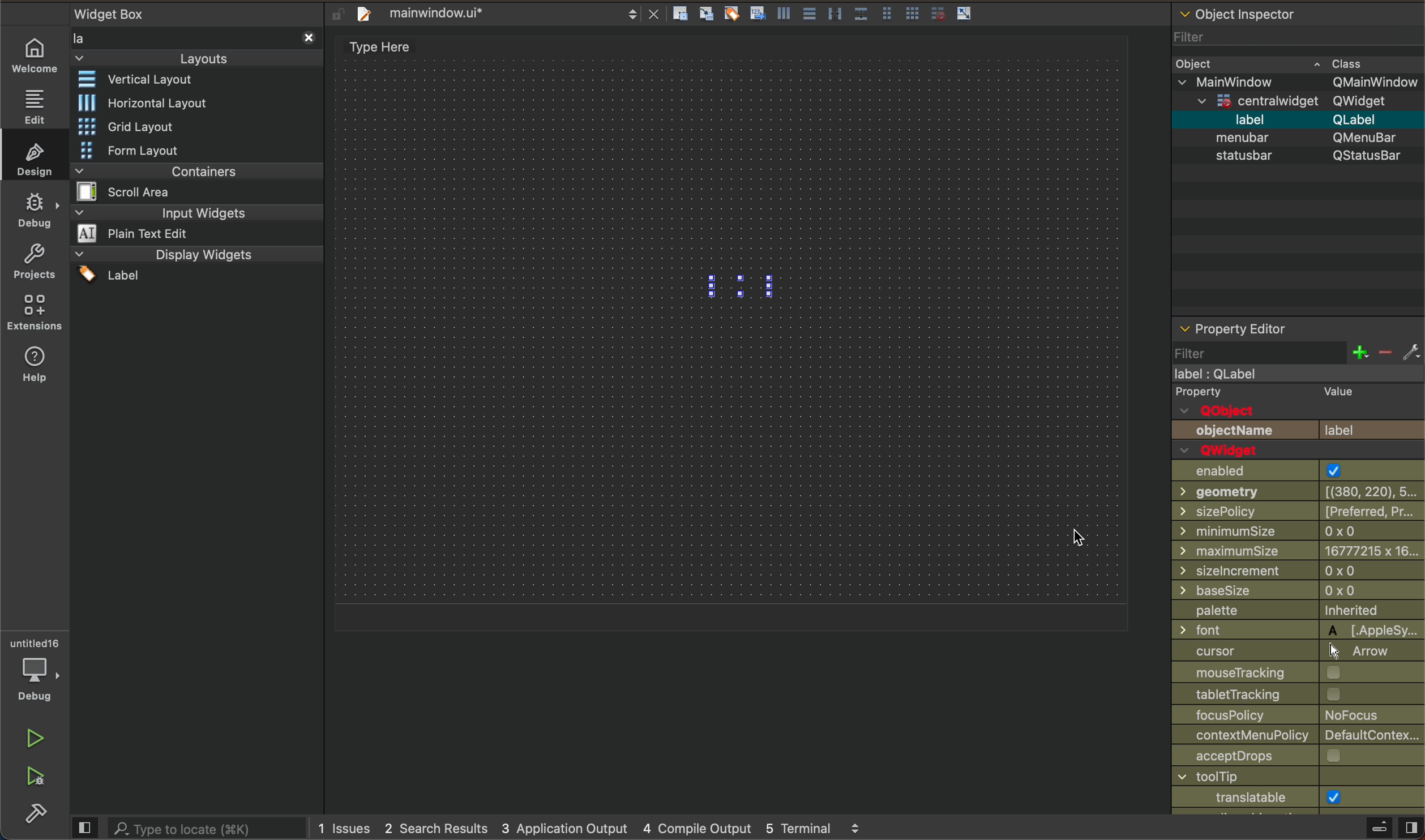  What do you see at coordinates (1282, 674) in the screenshot?
I see `mouse tracking` at bounding box center [1282, 674].